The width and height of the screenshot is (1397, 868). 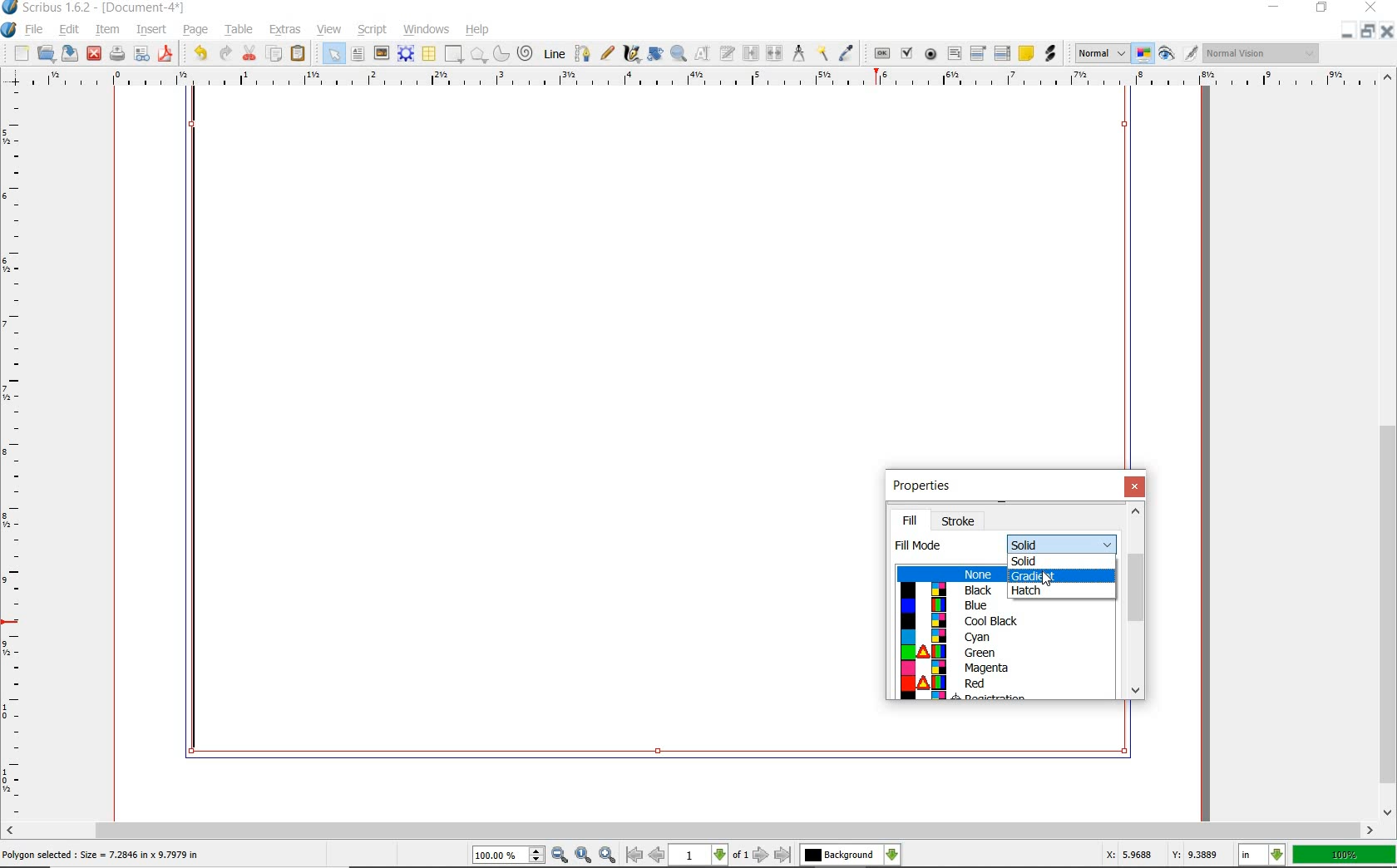 What do you see at coordinates (1000, 638) in the screenshot?
I see `Cyan` at bounding box center [1000, 638].